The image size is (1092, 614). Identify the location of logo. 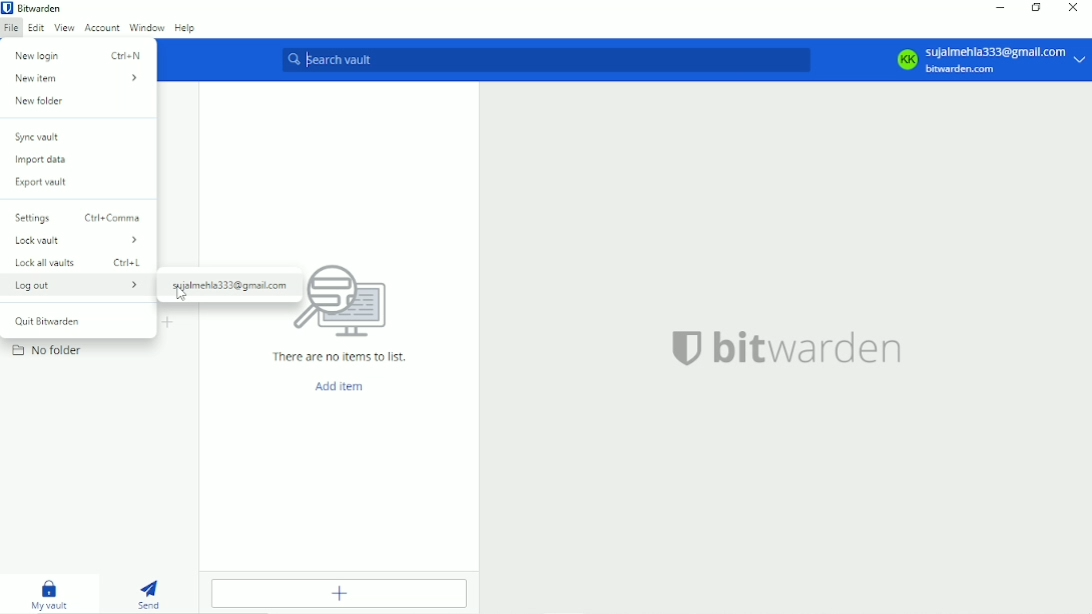
(686, 348).